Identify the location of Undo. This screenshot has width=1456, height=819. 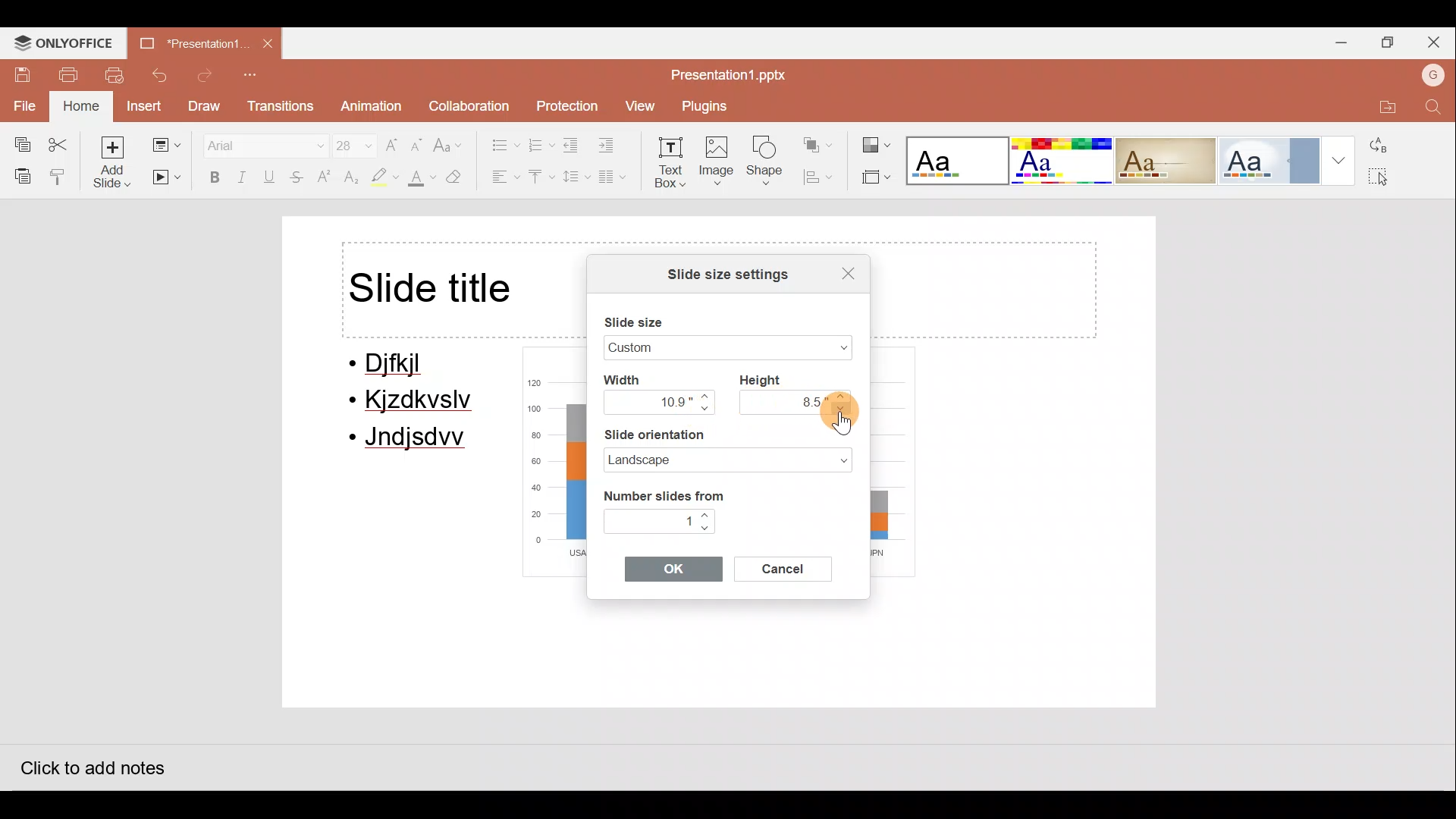
(162, 75).